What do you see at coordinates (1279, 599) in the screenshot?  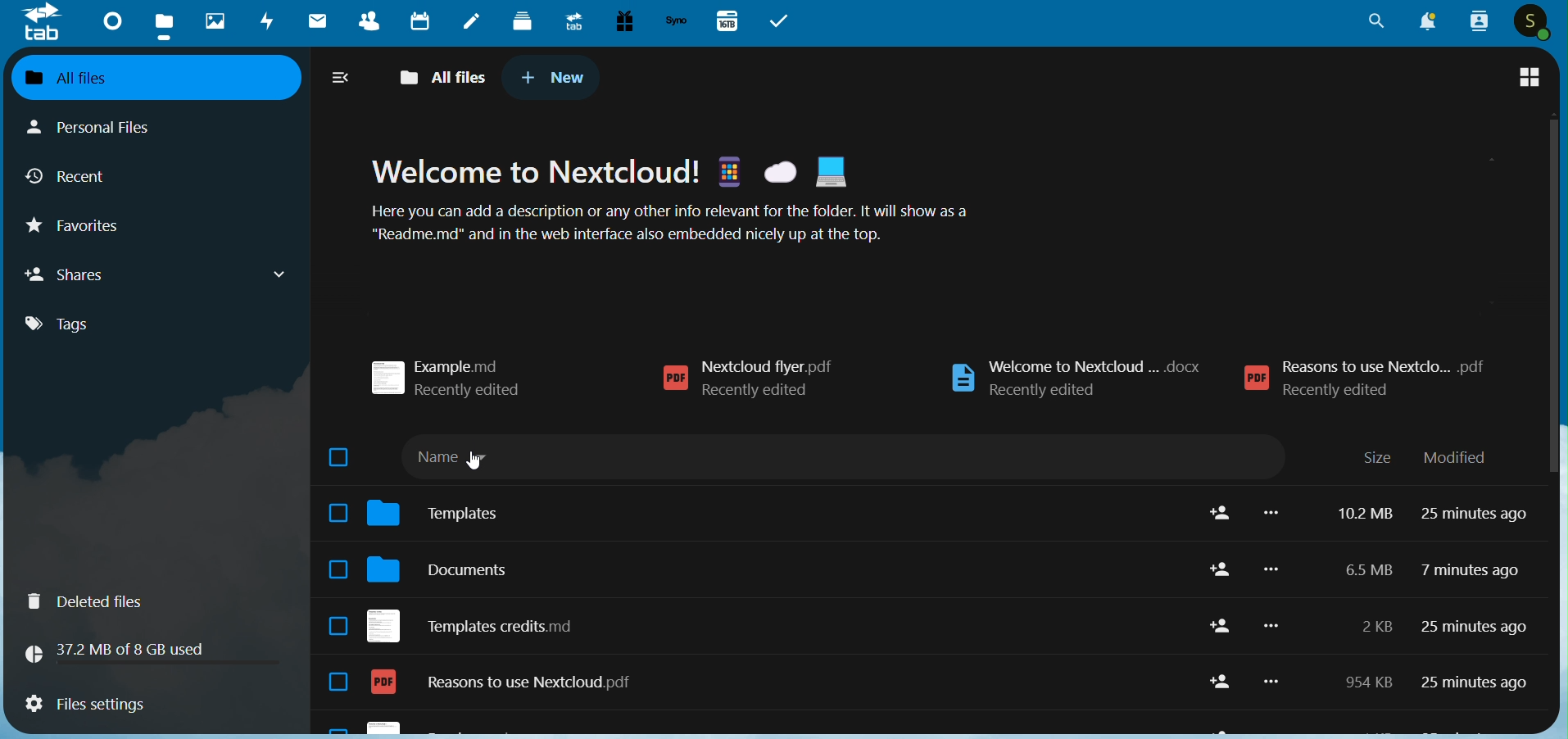 I see `more` at bounding box center [1279, 599].